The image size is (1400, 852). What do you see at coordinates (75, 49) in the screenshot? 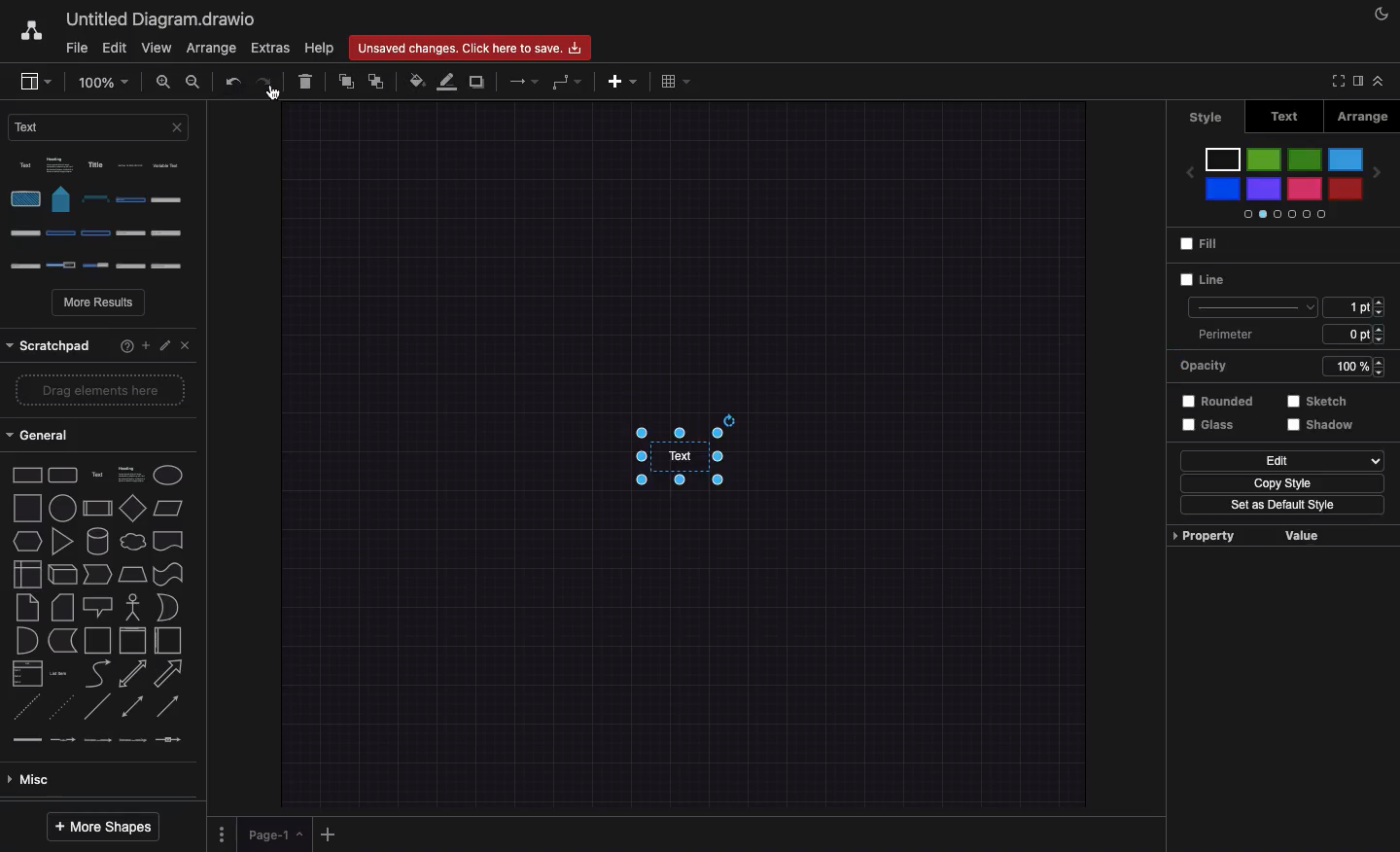
I see `File` at bounding box center [75, 49].